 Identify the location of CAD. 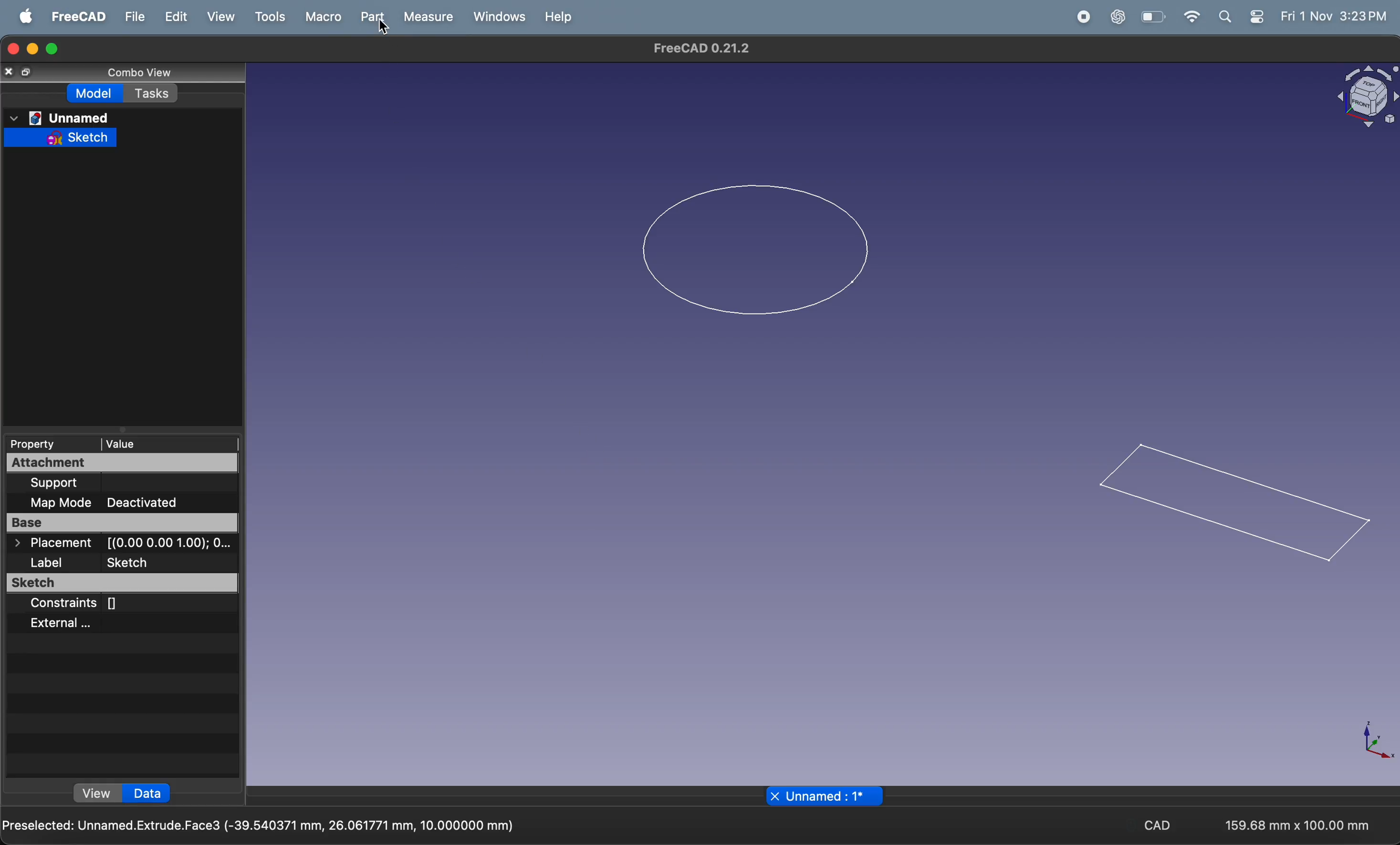
(1158, 824).